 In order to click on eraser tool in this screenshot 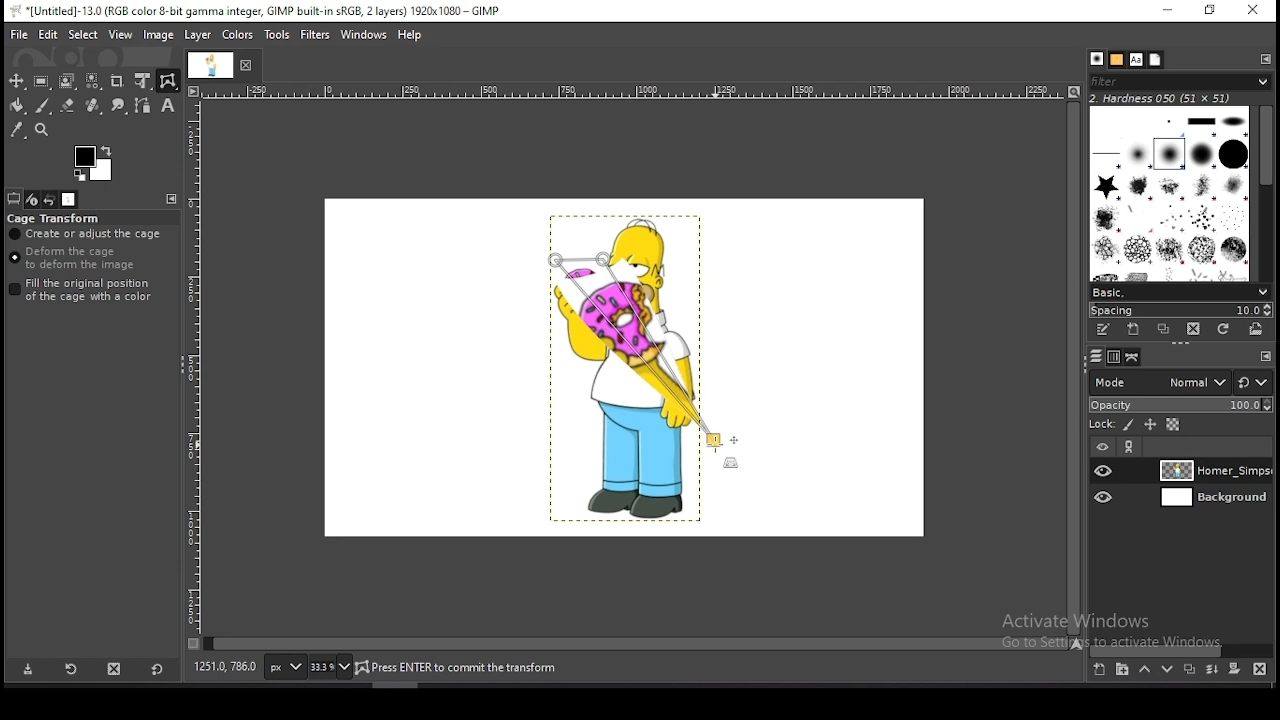, I will do `click(68, 106)`.